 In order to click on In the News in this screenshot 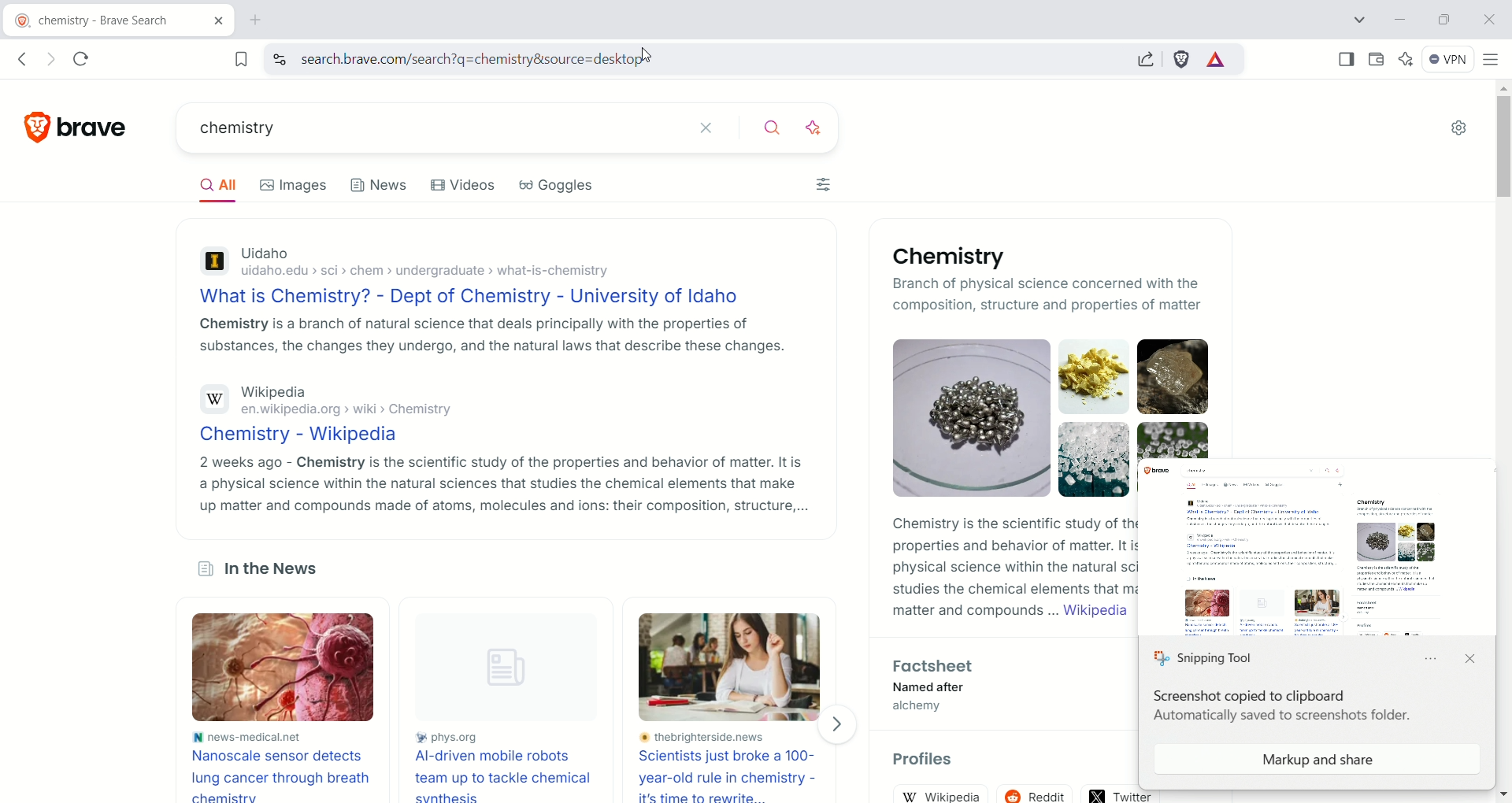, I will do `click(256, 572)`.